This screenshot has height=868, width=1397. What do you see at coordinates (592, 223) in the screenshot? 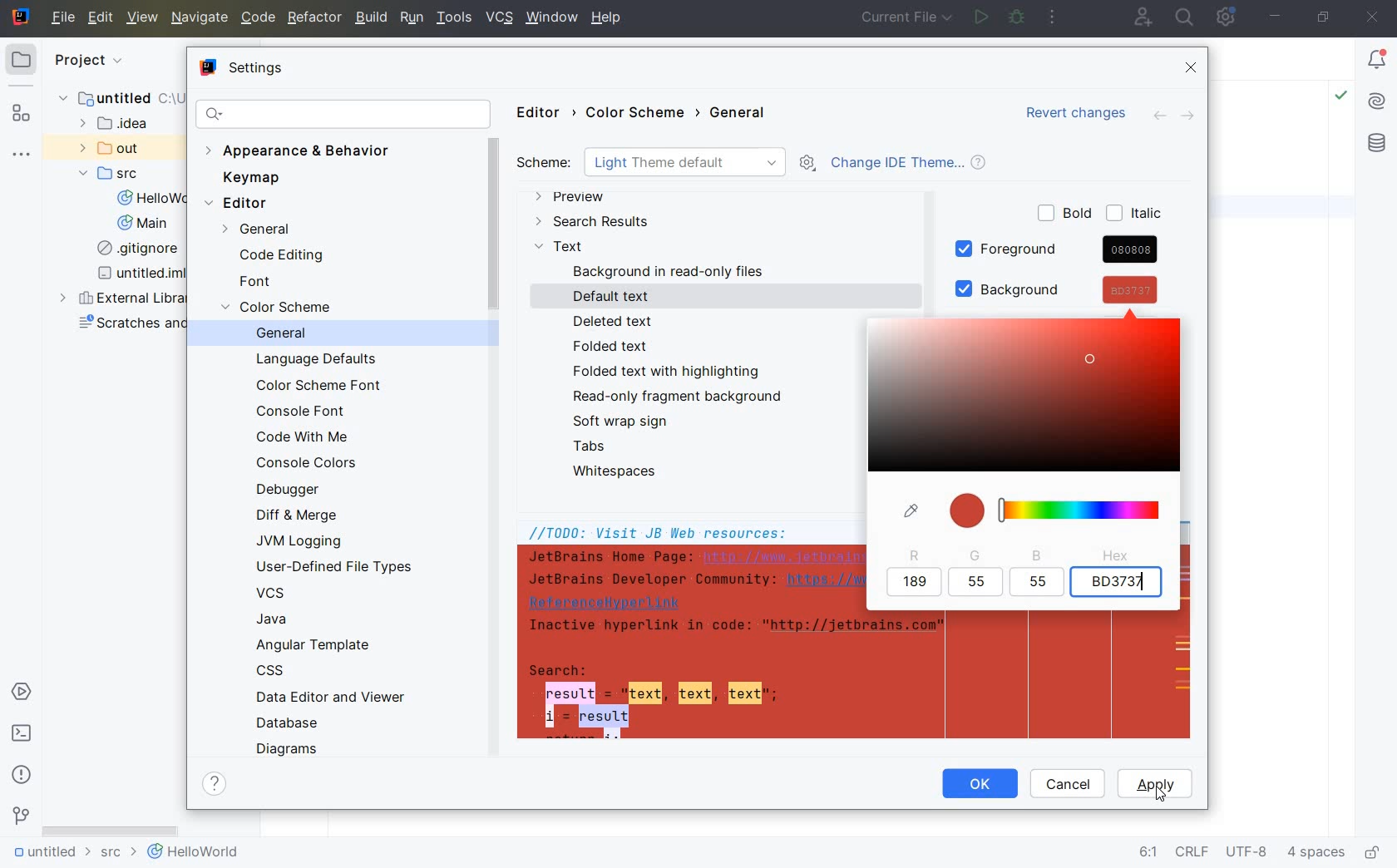
I see `SEARCH RESULTS` at bounding box center [592, 223].